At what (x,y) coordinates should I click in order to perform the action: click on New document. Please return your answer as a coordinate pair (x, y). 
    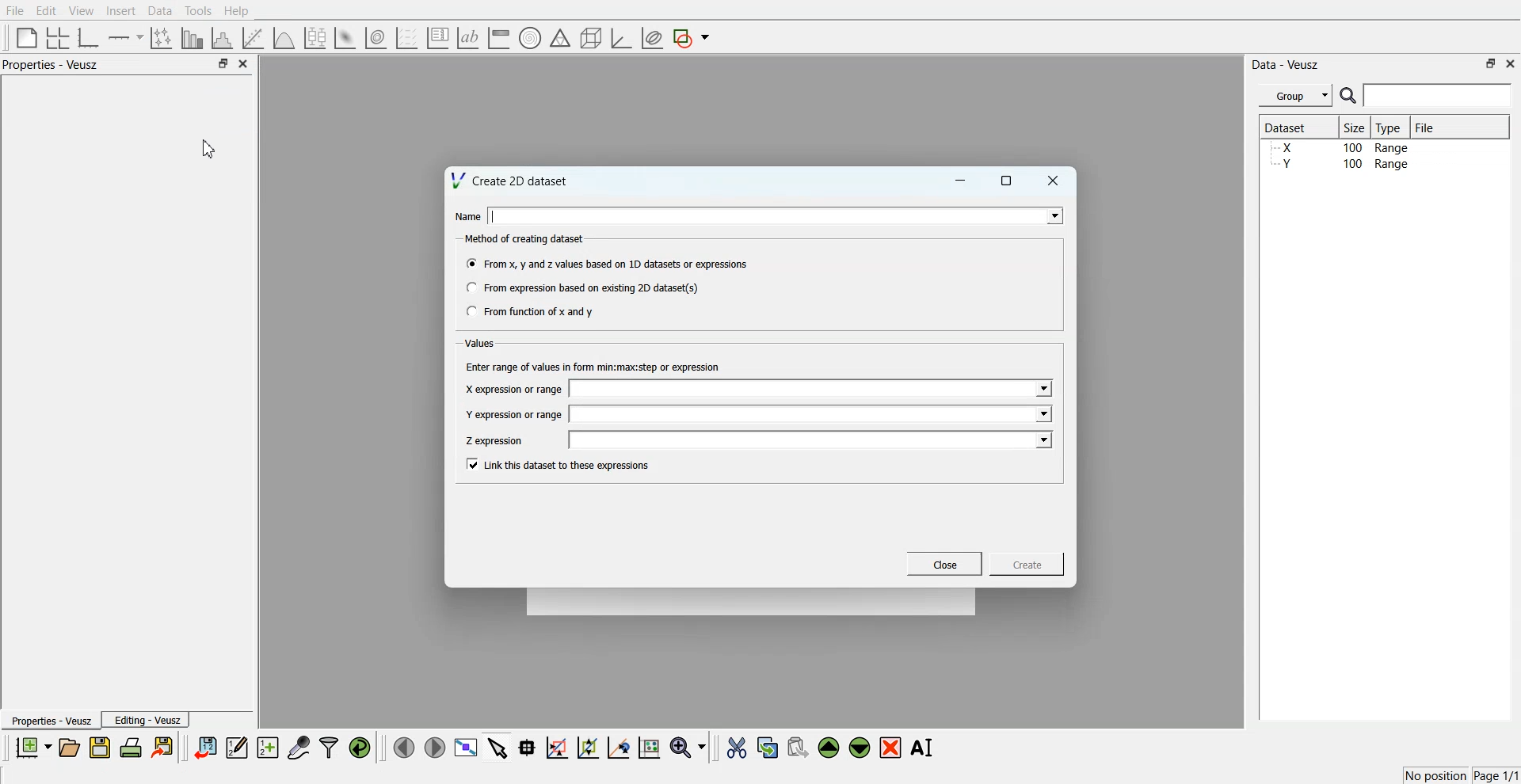
    Looking at the image, I should click on (32, 747).